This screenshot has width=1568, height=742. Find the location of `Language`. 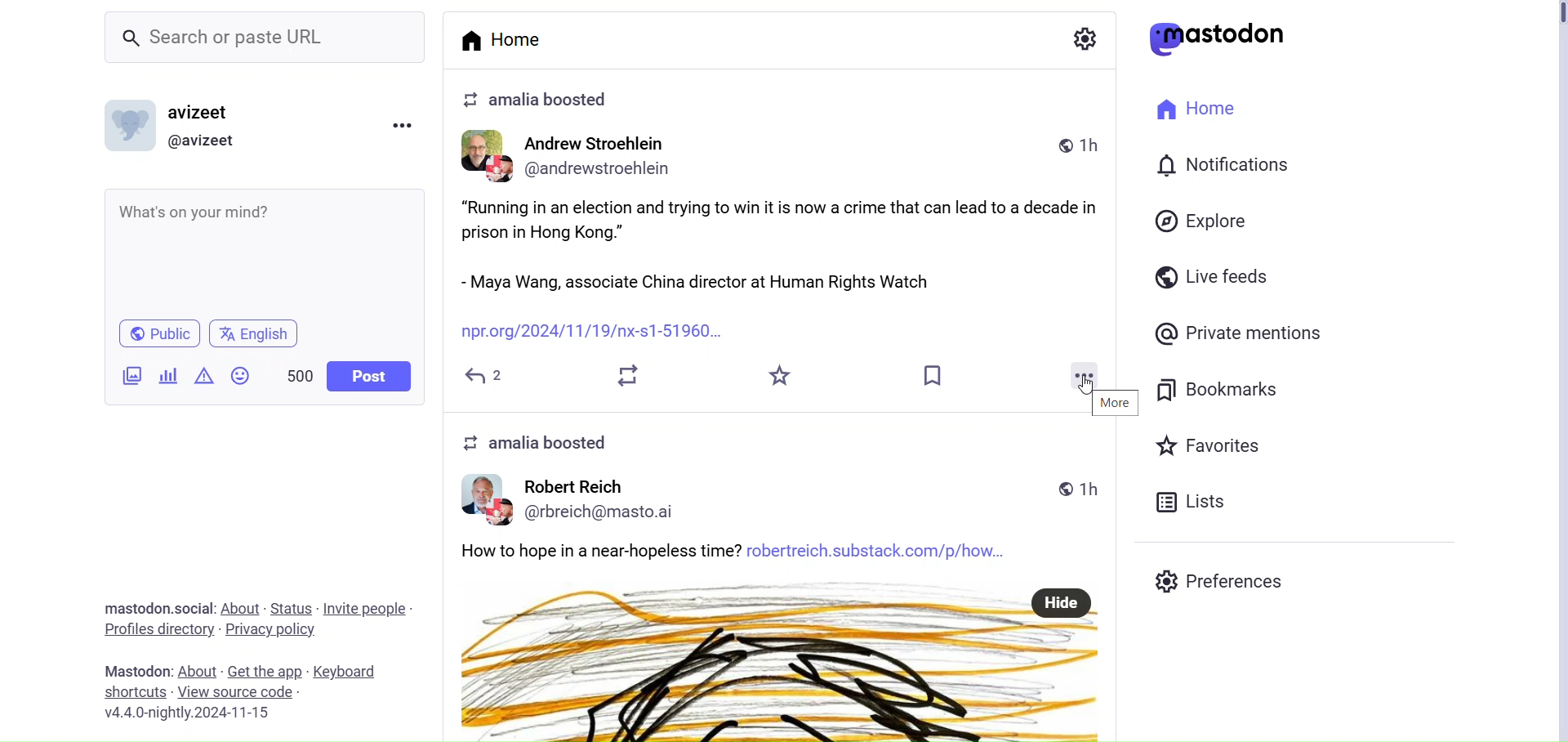

Language is located at coordinates (251, 333).